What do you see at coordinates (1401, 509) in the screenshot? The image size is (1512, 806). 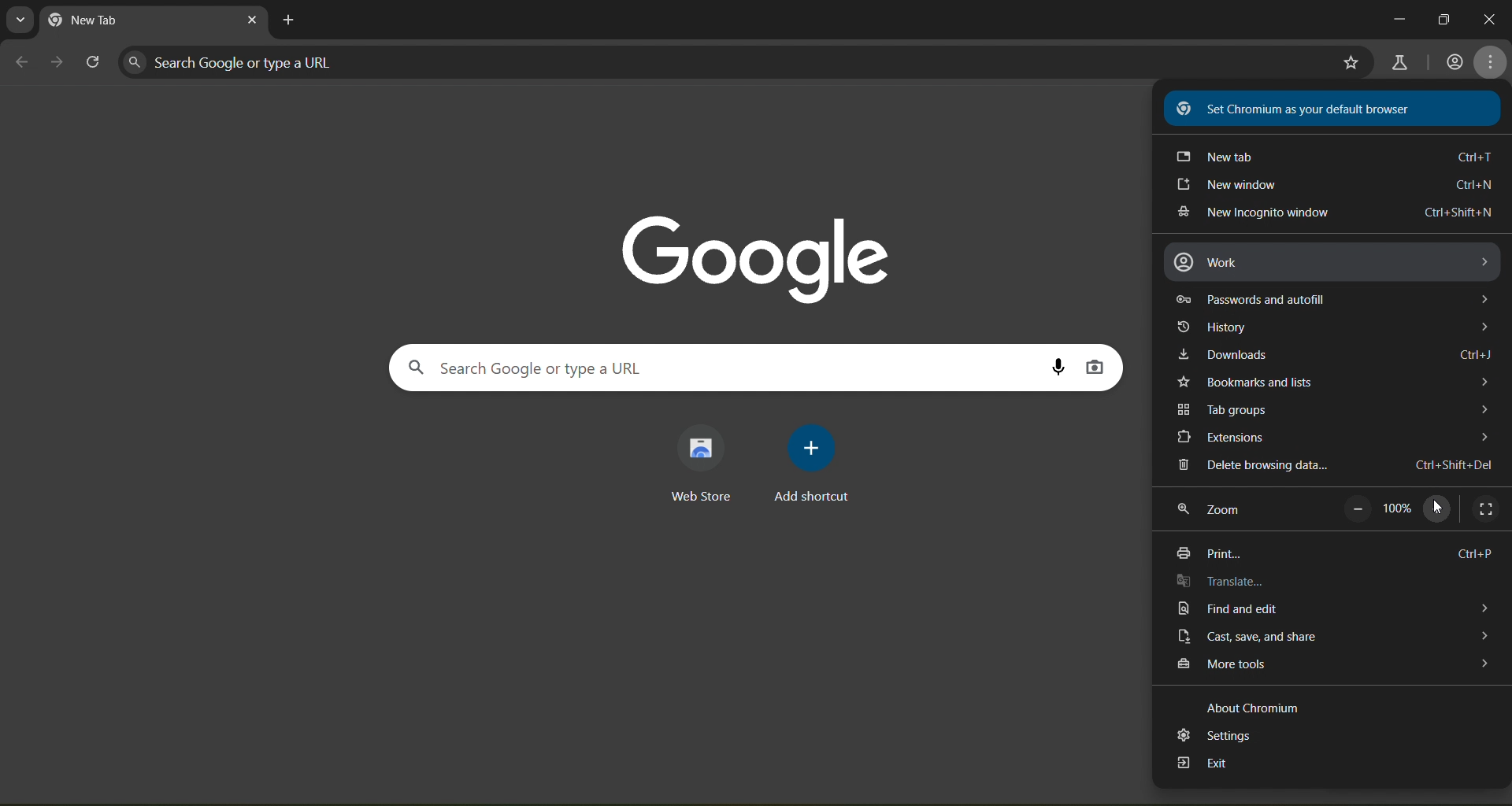 I see `100%` at bounding box center [1401, 509].